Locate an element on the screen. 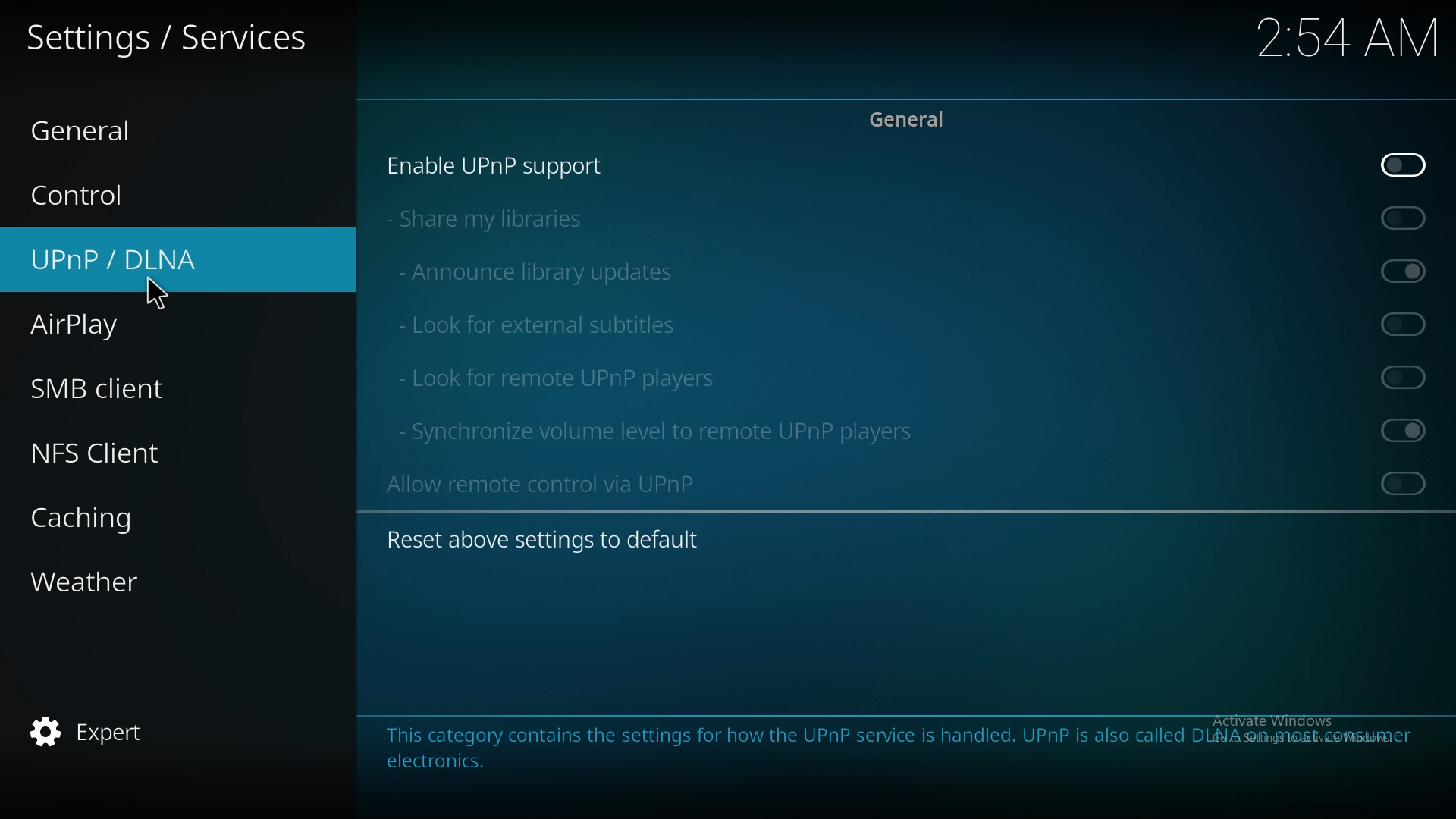 This screenshot has width=1456, height=819. airplay is located at coordinates (105, 327).